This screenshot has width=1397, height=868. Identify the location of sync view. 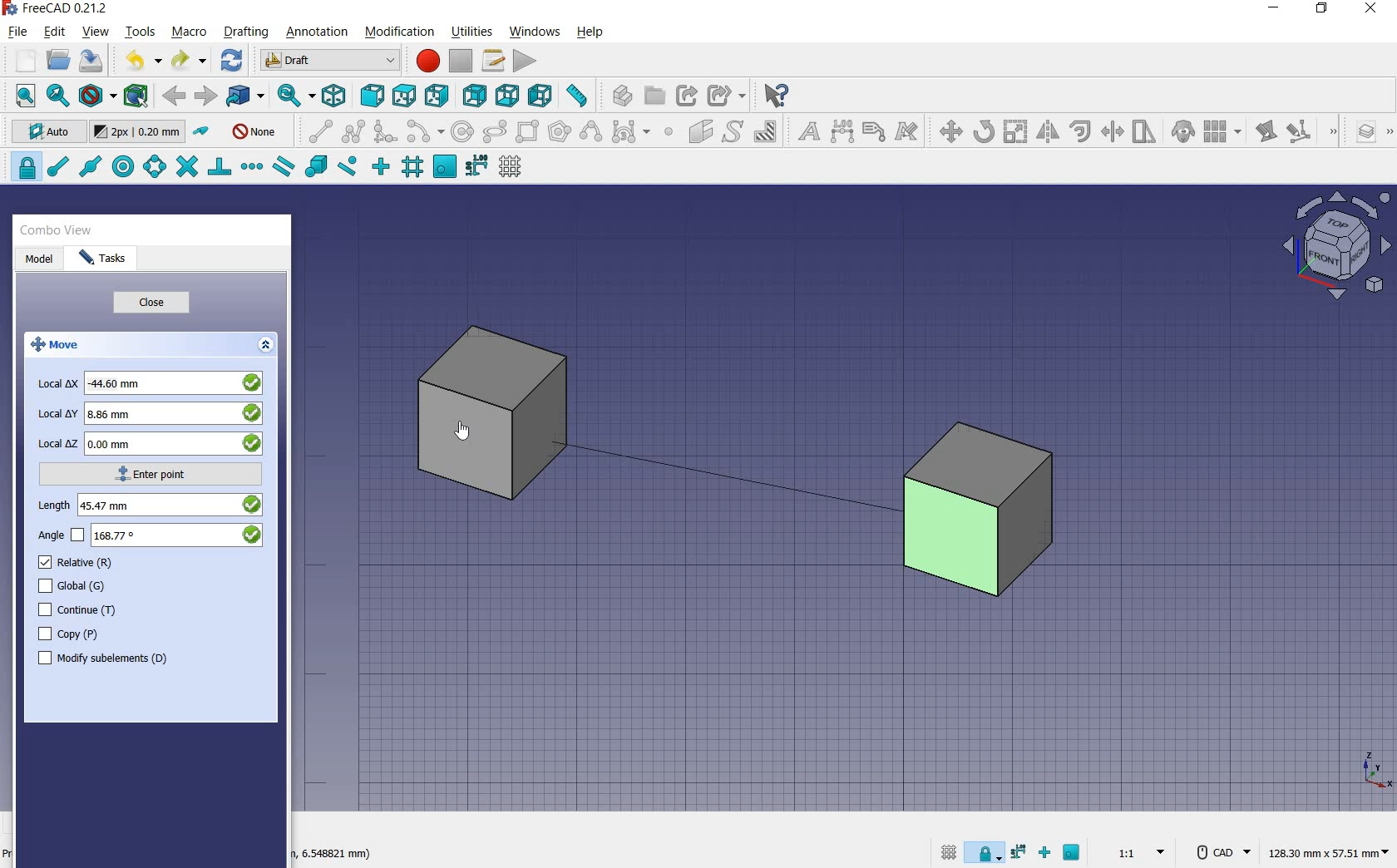
(295, 96).